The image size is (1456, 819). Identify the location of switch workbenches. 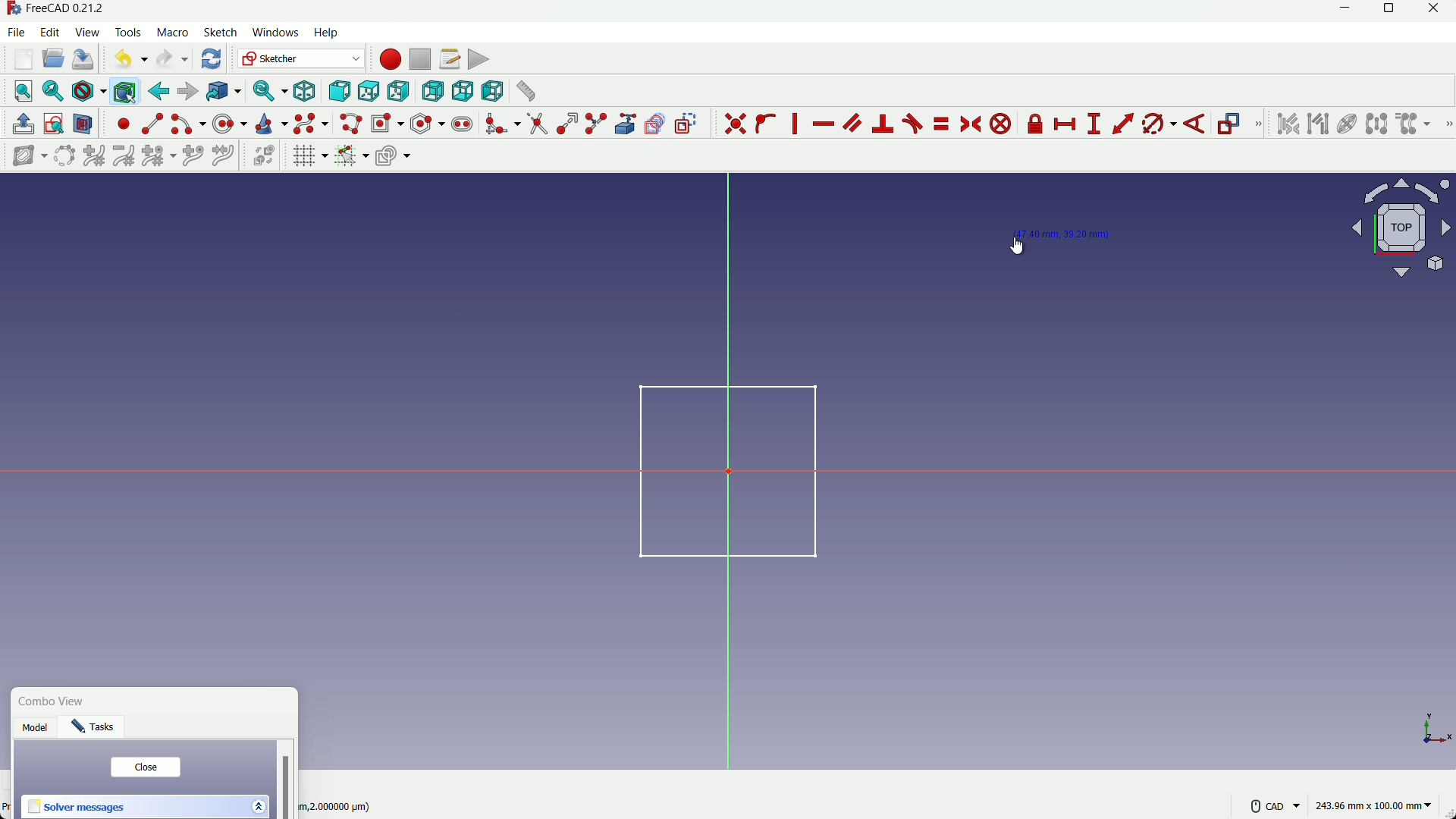
(300, 58).